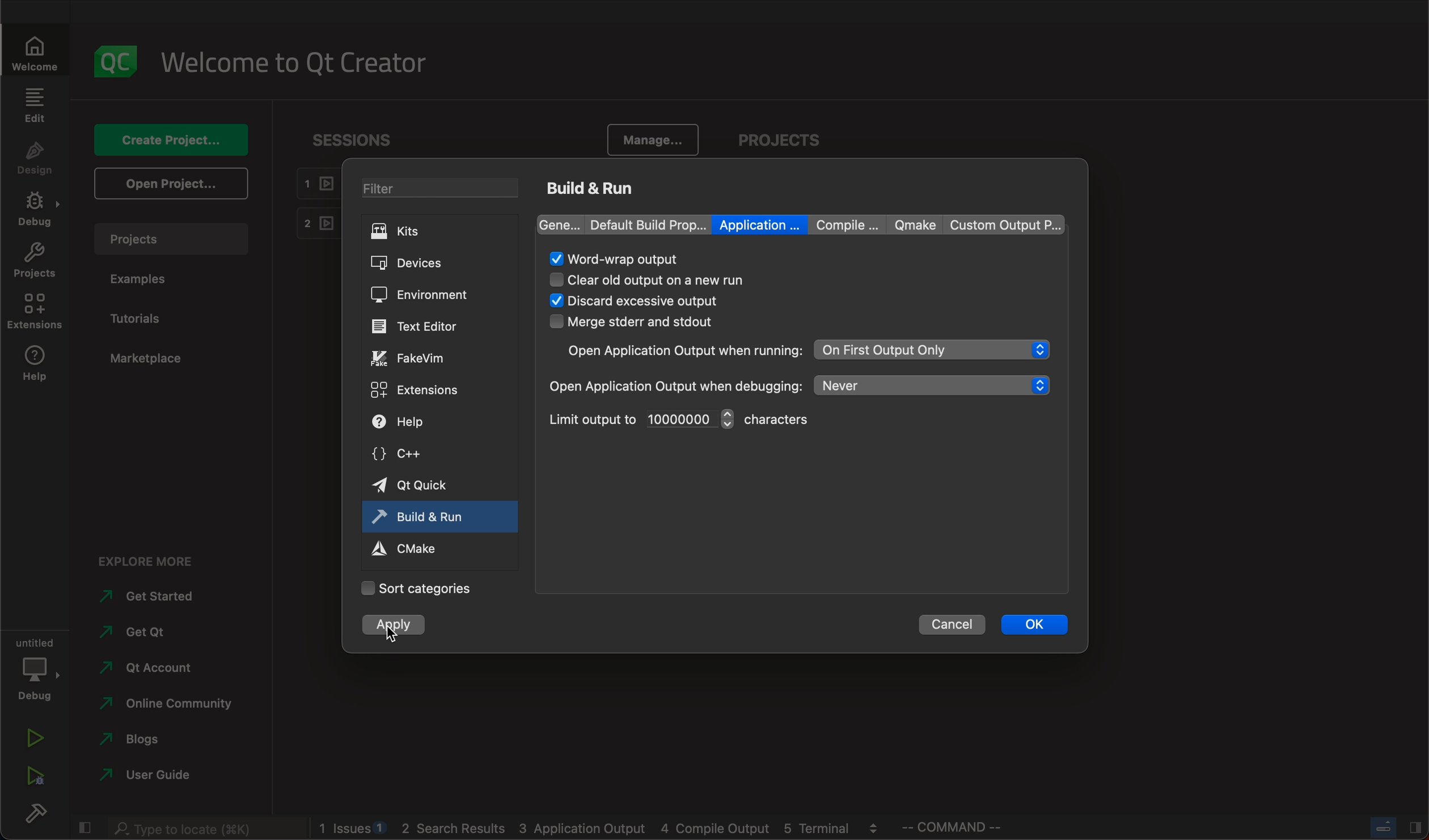 The width and height of the screenshot is (1429, 840). What do you see at coordinates (150, 359) in the screenshot?
I see `marketplace` at bounding box center [150, 359].